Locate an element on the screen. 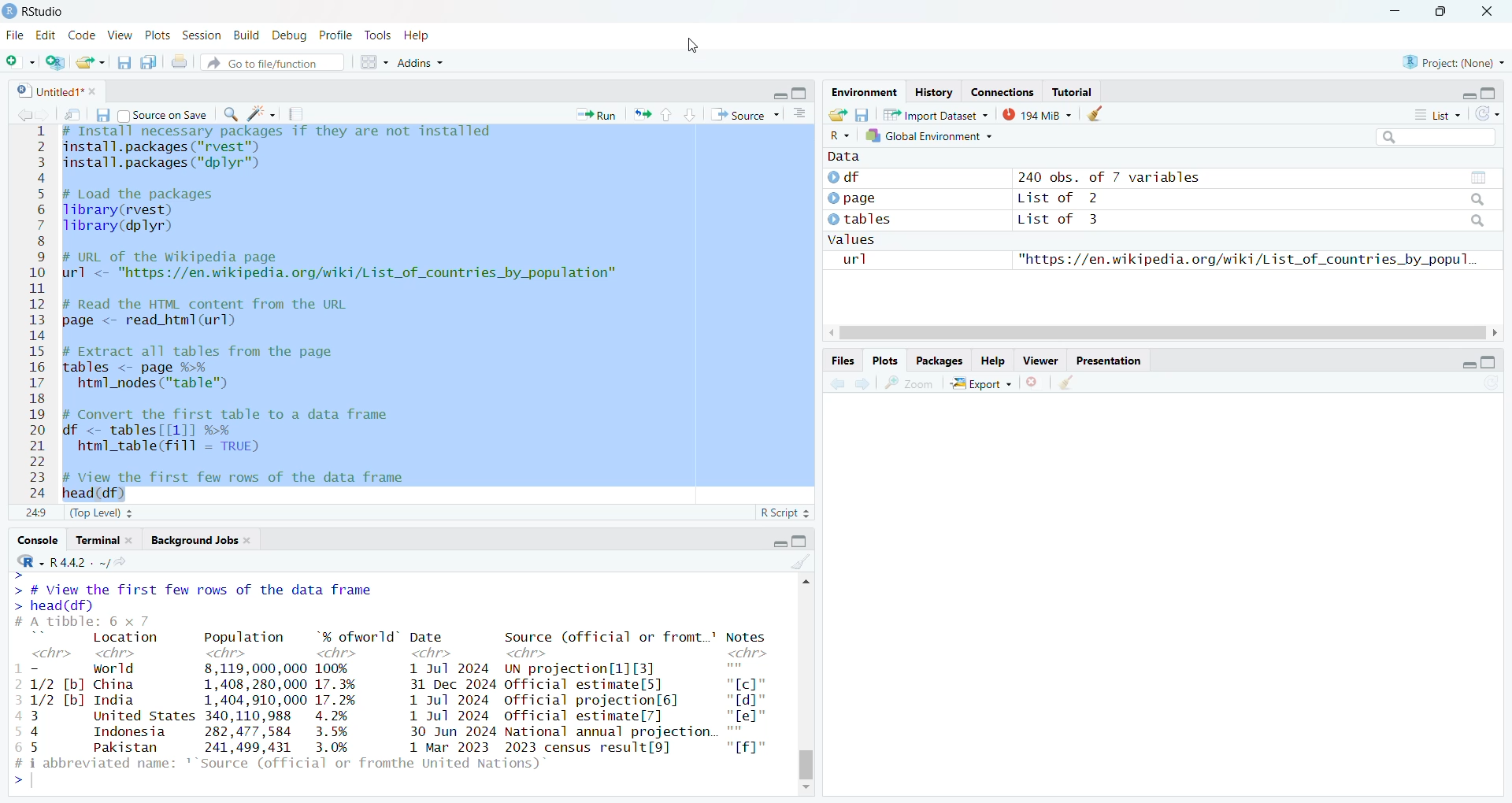  Location is located at coordinates (127, 637).